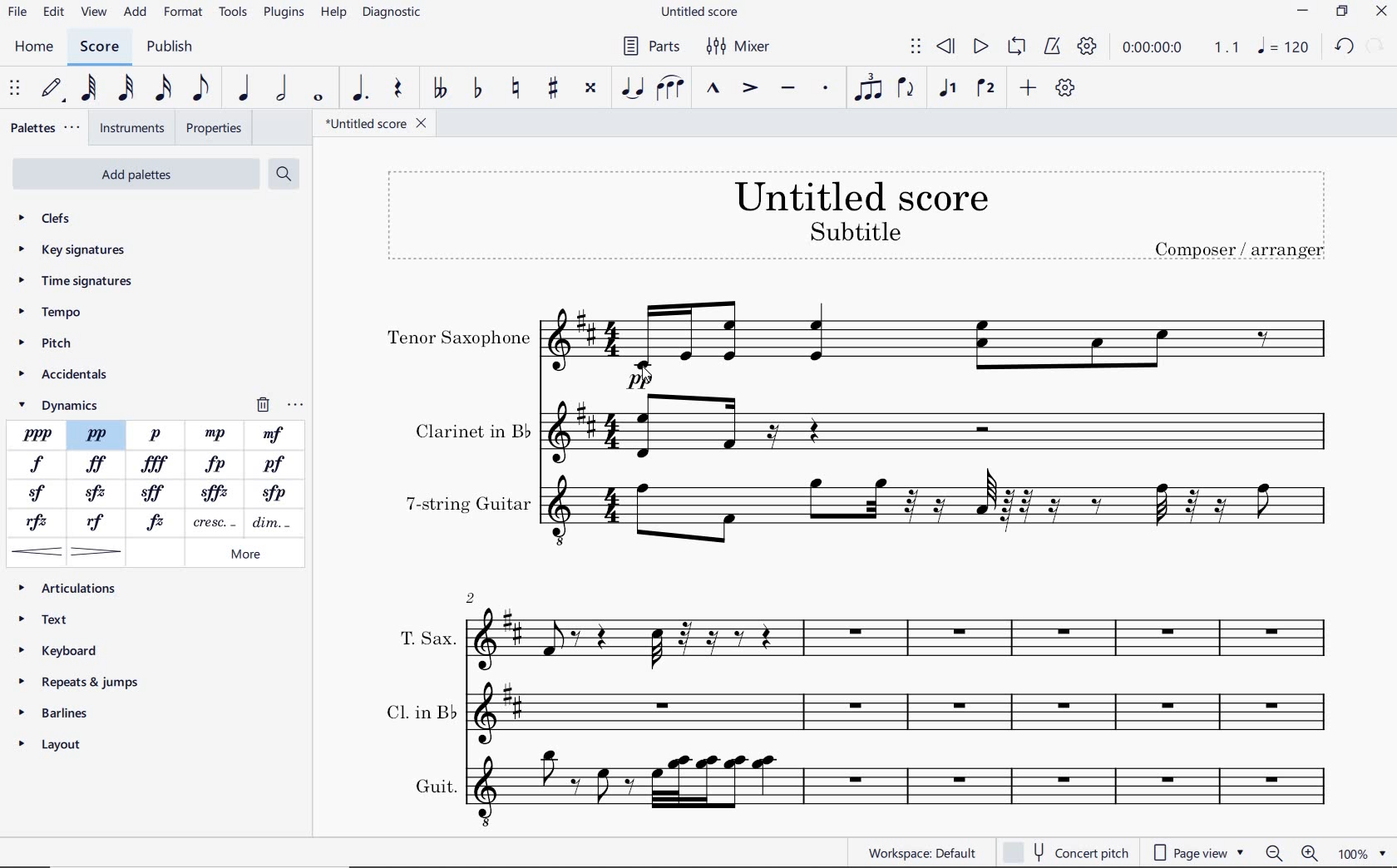  Describe the element at coordinates (37, 551) in the screenshot. I see `CRESCENDO HAIRPIN` at that location.